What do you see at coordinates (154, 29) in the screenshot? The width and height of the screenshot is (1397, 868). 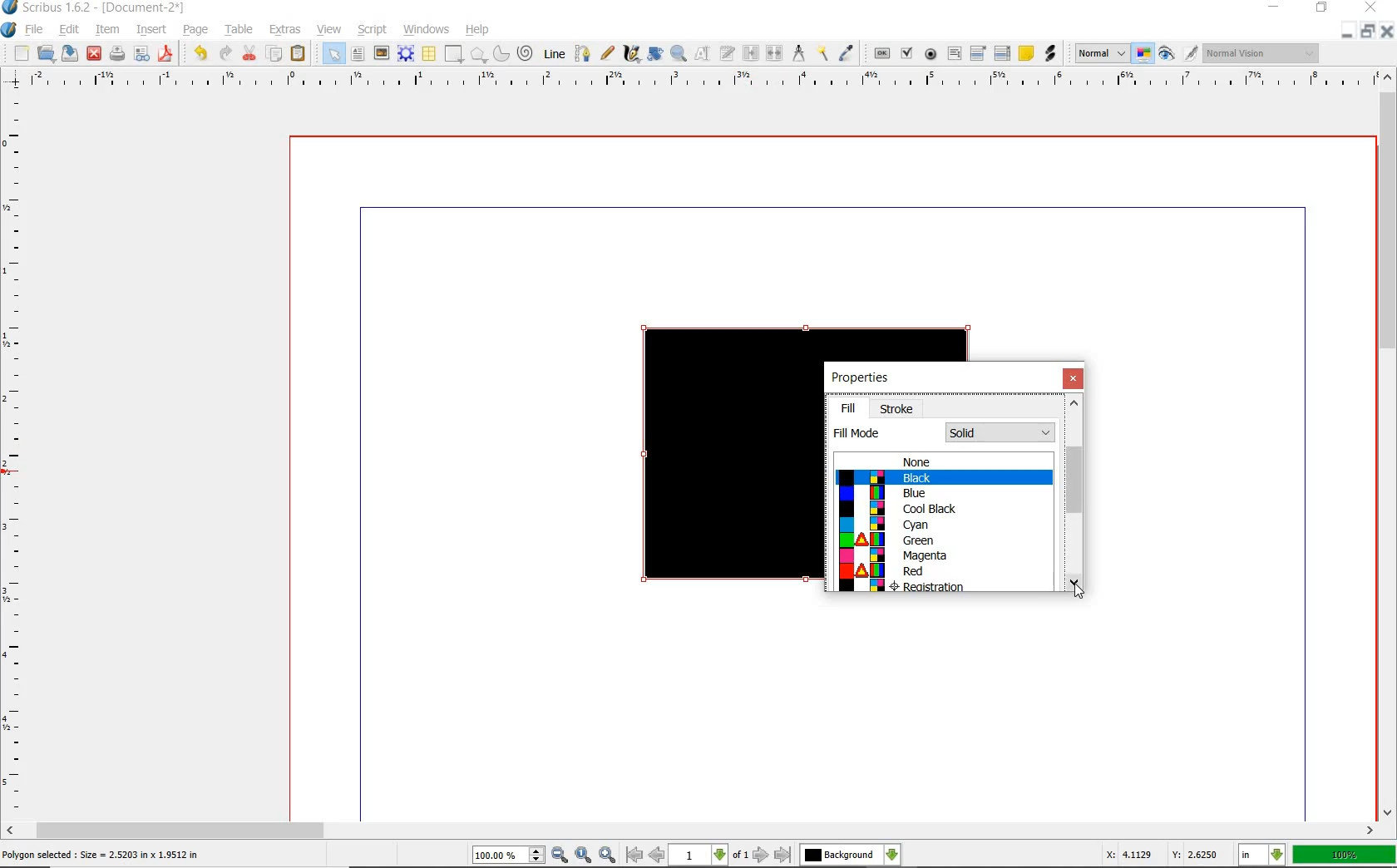 I see `insert` at bounding box center [154, 29].